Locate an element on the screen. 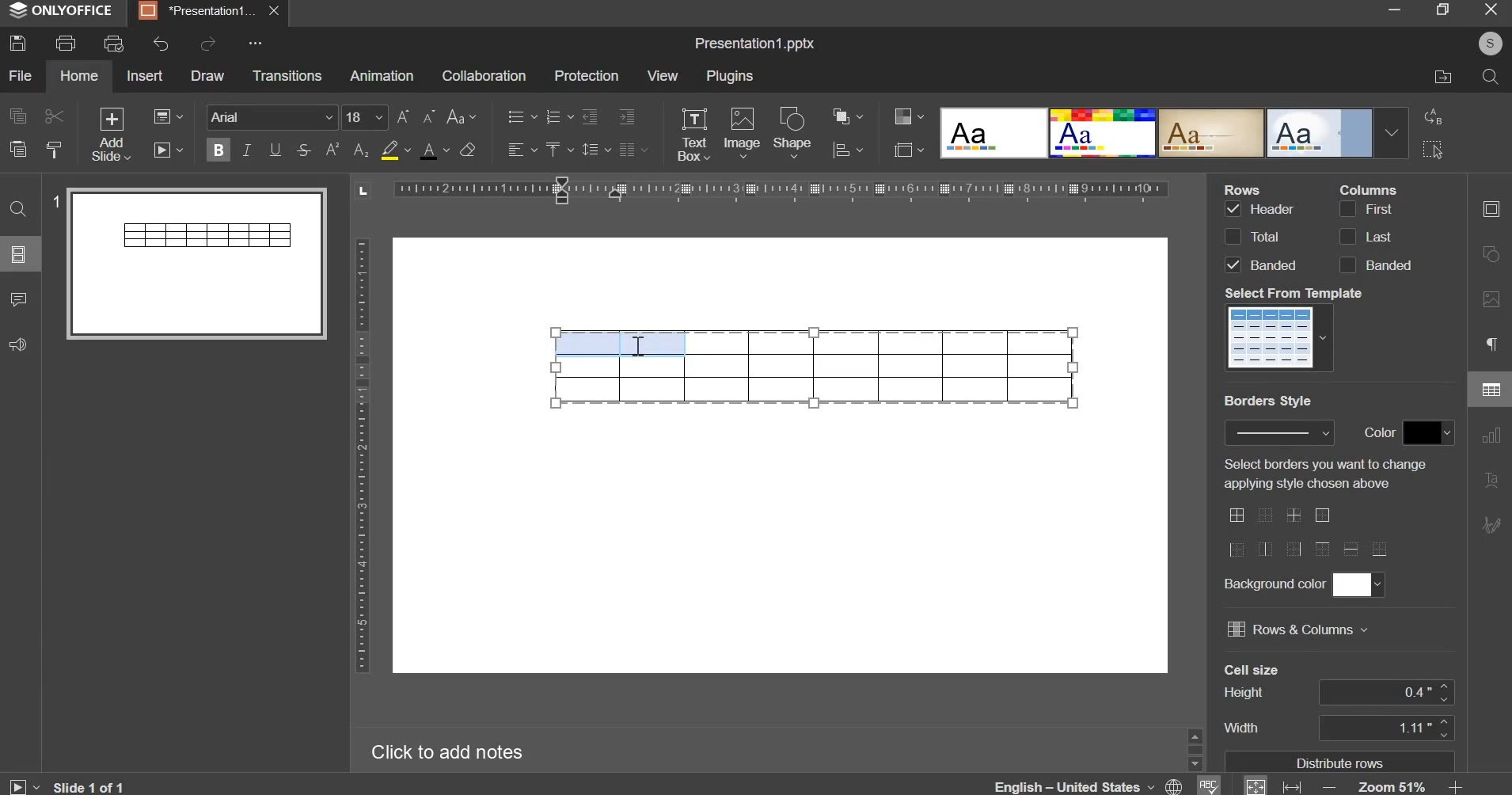 This screenshot has height=795, width=1512. clear style is located at coordinates (467, 149).